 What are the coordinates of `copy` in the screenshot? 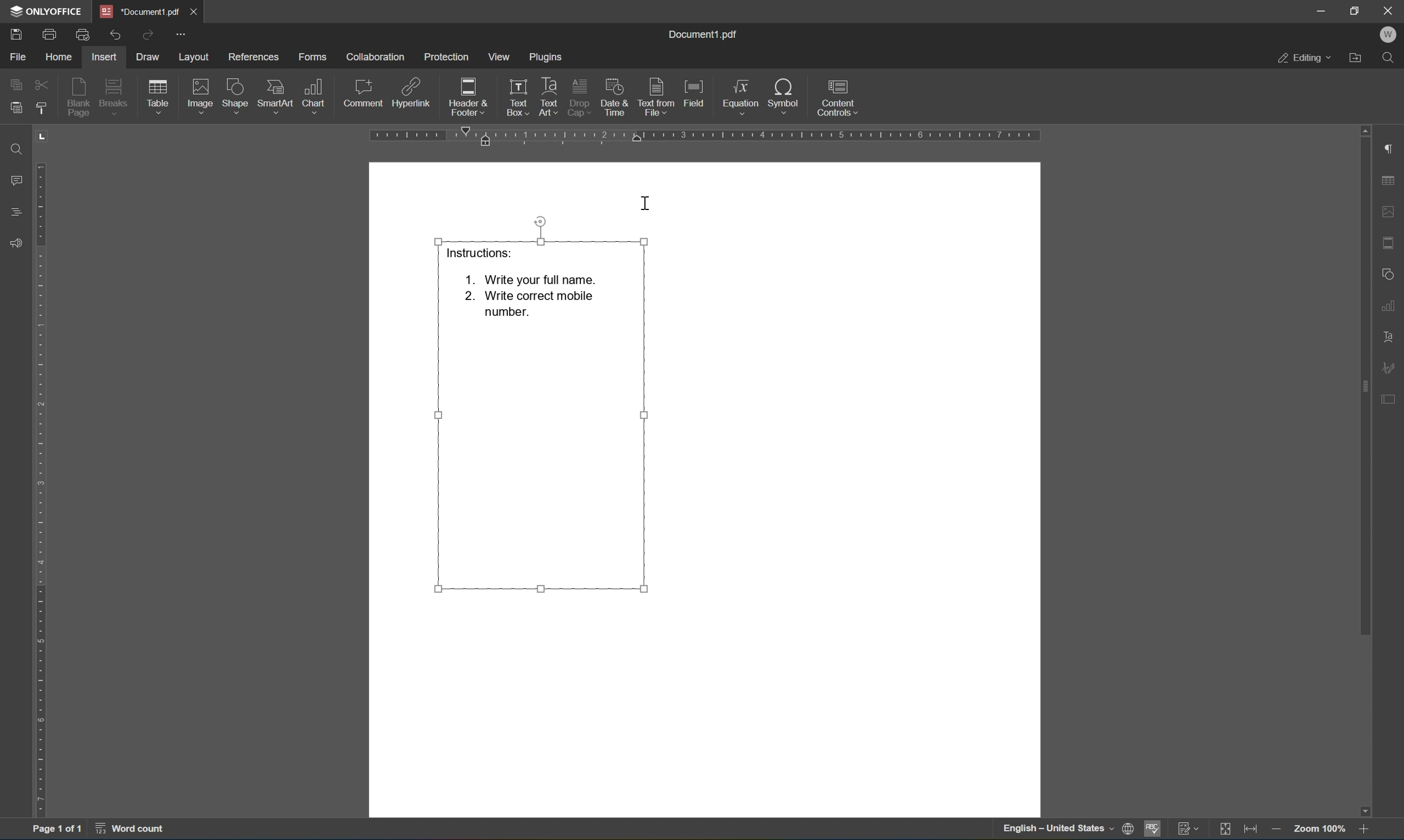 It's located at (16, 84).